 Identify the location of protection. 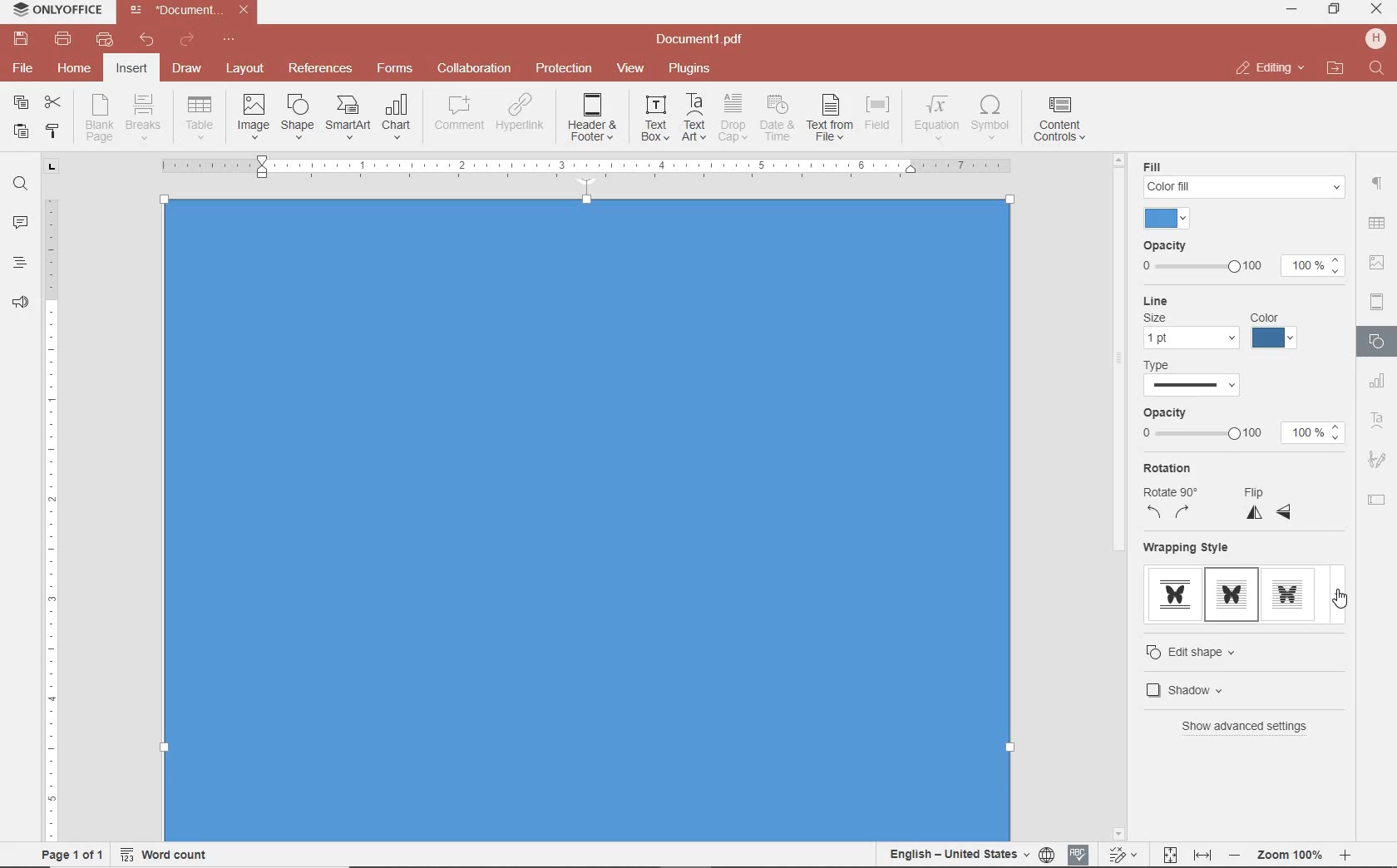
(565, 69).